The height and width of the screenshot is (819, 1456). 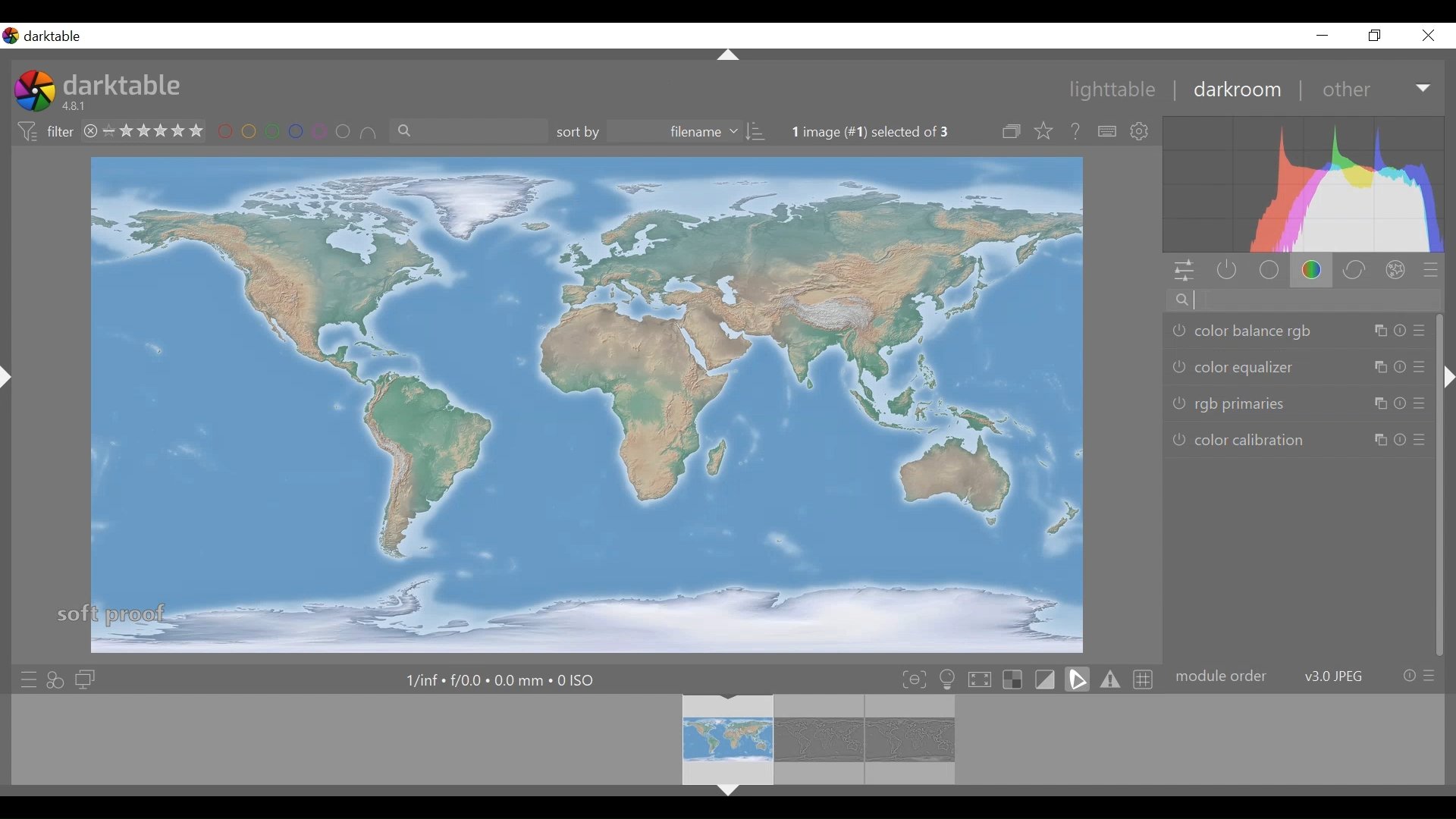 What do you see at coordinates (1313, 270) in the screenshot?
I see `color` at bounding box center [1313, 270].